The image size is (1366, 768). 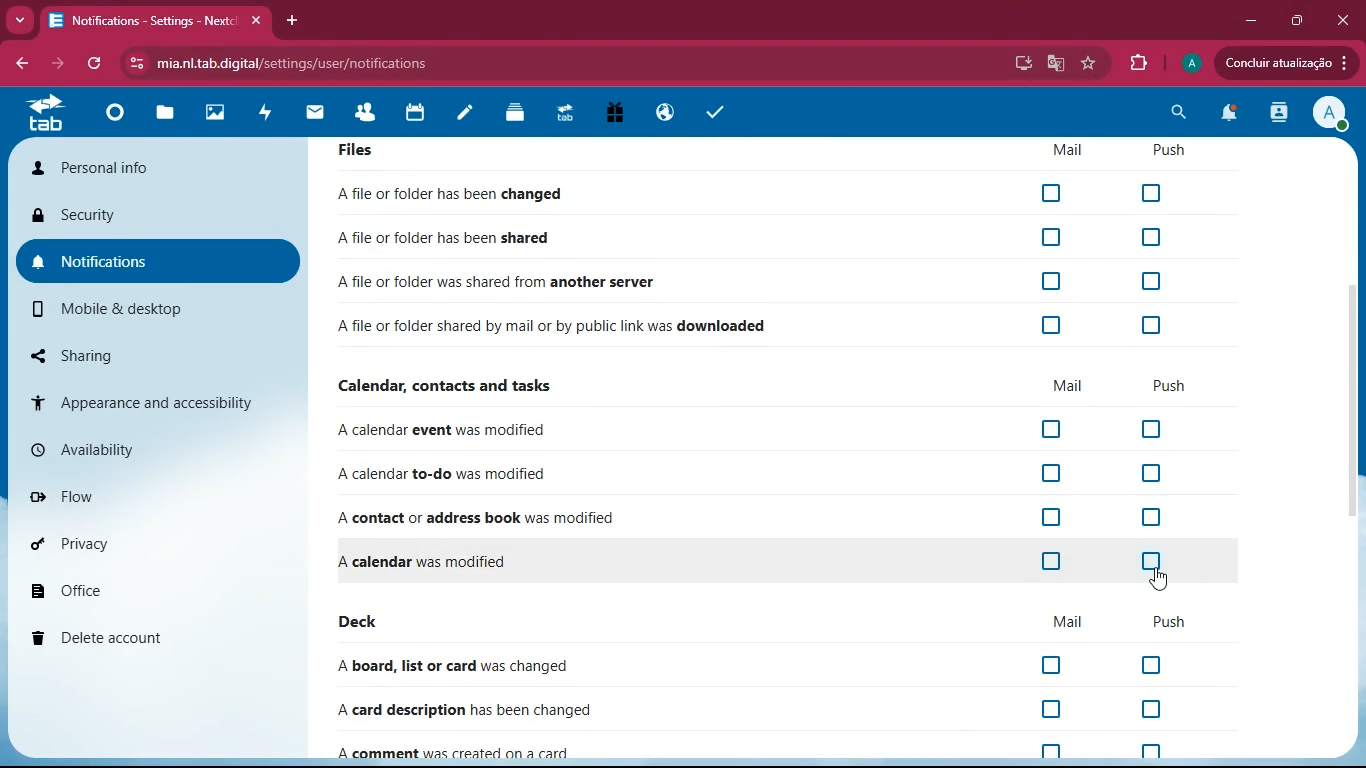 What do you see at coordinates (473, 708) in the screenshot?
I see `card description` at bounding box center [473, 708].